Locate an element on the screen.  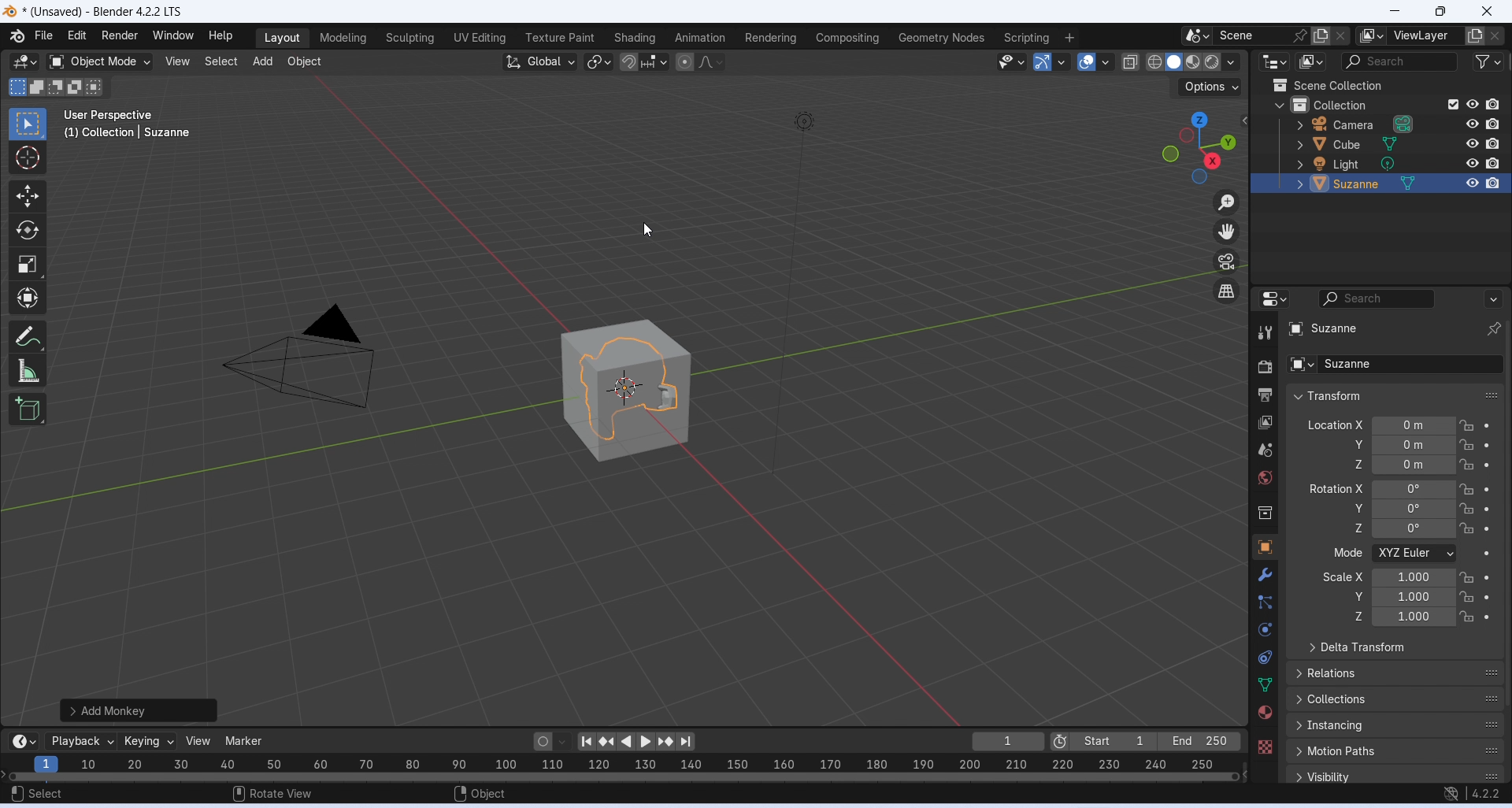
constraints is located at coordinates (1265, 658).